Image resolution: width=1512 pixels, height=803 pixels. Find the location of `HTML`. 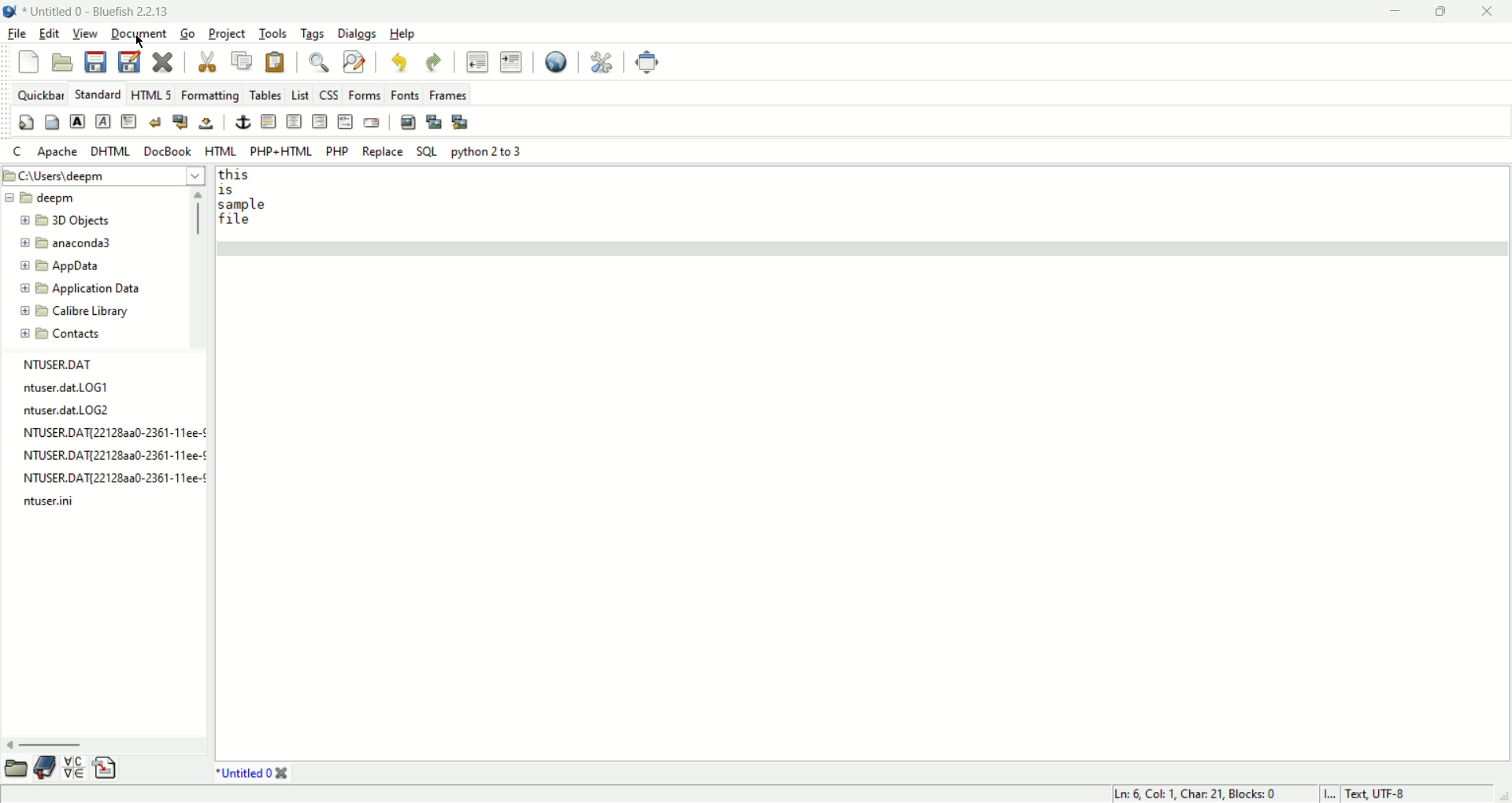

HTML is located at coordinates (220, 151).